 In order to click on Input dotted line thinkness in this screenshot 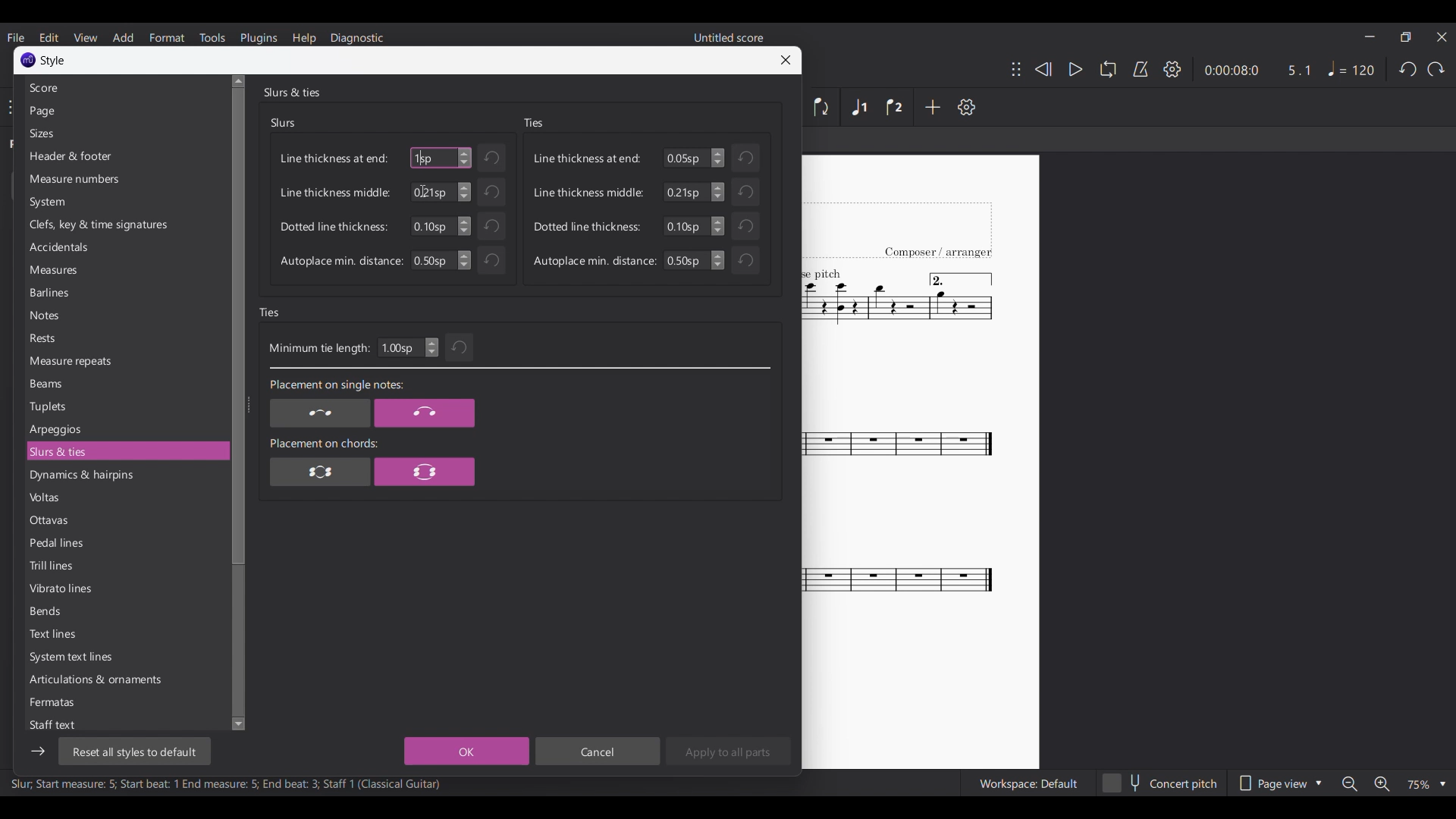, I will do `click(686, 226)`.